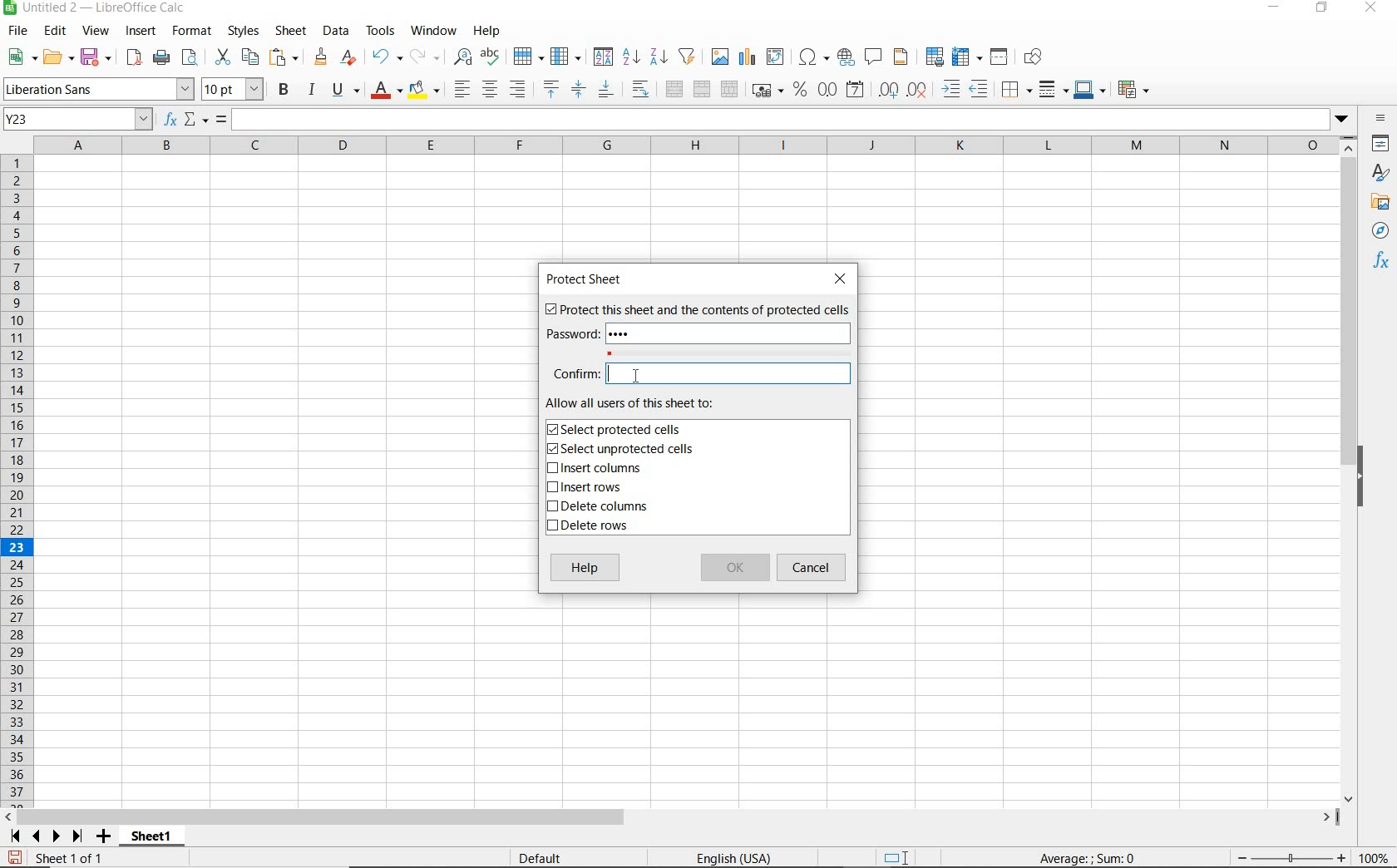 Image resolution: width=1397 pixels, height=868 pixels. Describe the element at coordinates (766, 92) in the screenshot. I see `FORMAT AS CURRENCY` at that location.